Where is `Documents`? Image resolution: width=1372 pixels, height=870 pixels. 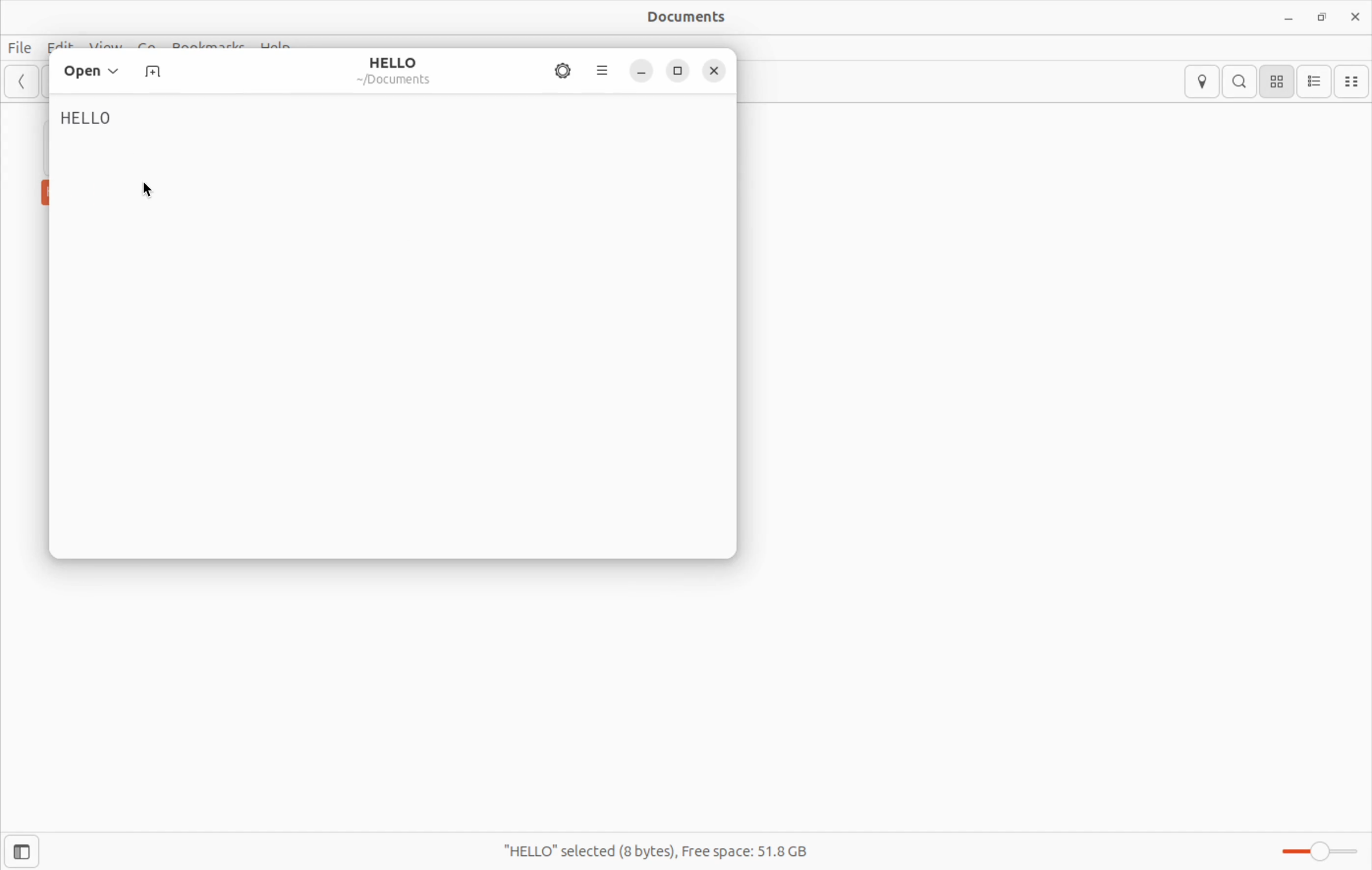
Documents is located at coordinates (689, 19).